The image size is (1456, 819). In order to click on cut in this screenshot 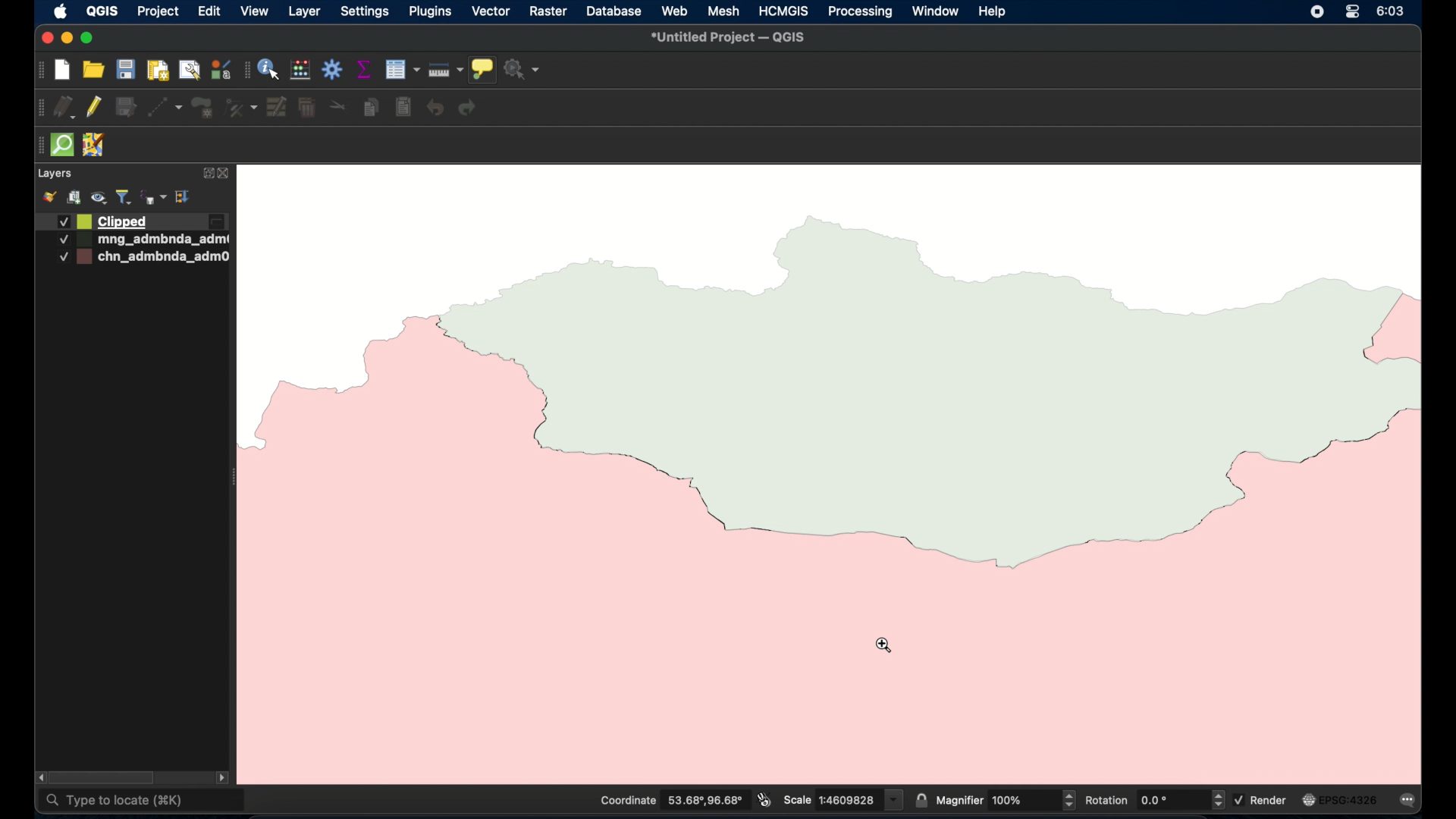, I will do `click(338, 105)`.